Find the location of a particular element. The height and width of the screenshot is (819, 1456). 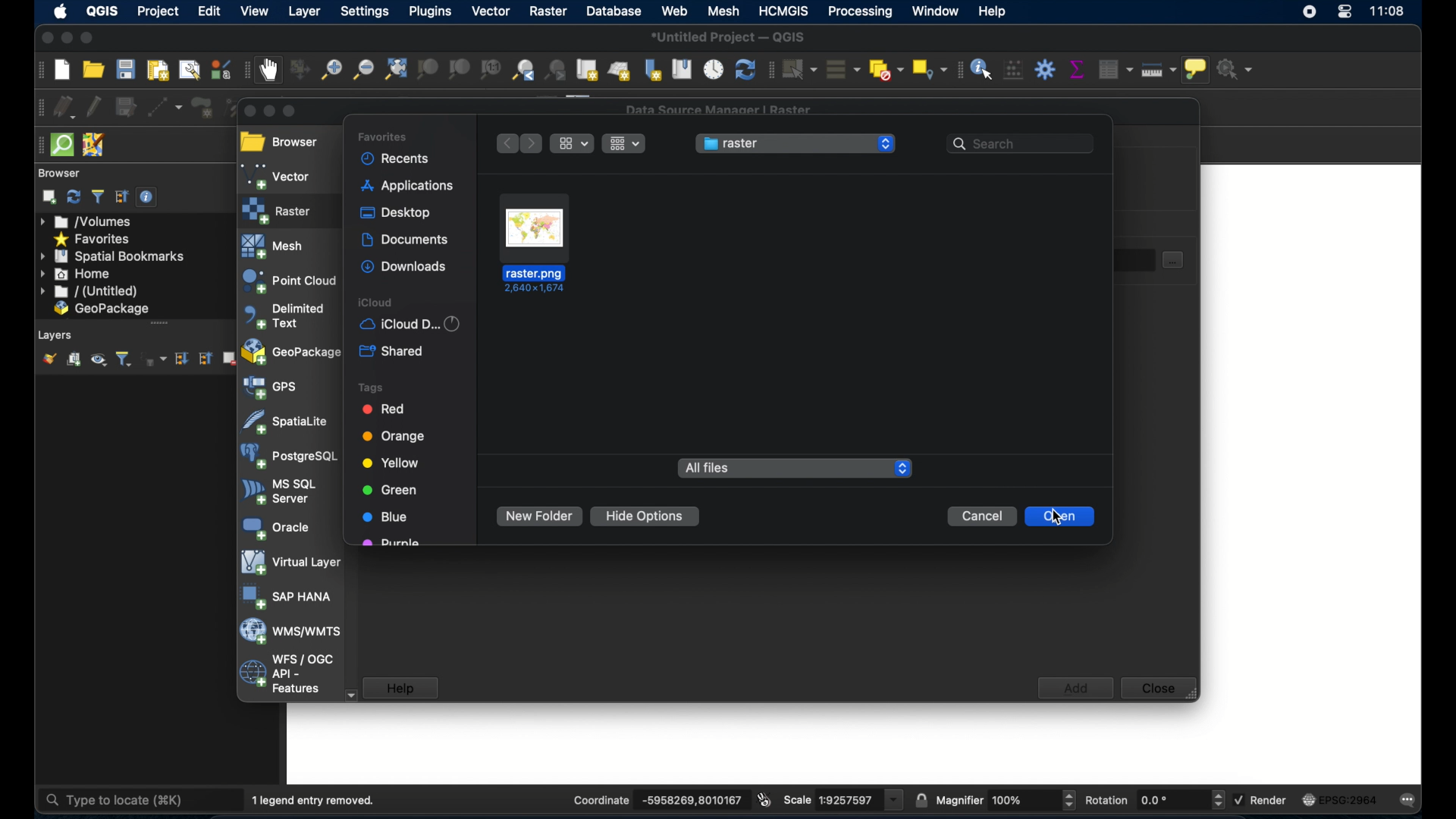

show layout manager is located at coordinates (187, 71).